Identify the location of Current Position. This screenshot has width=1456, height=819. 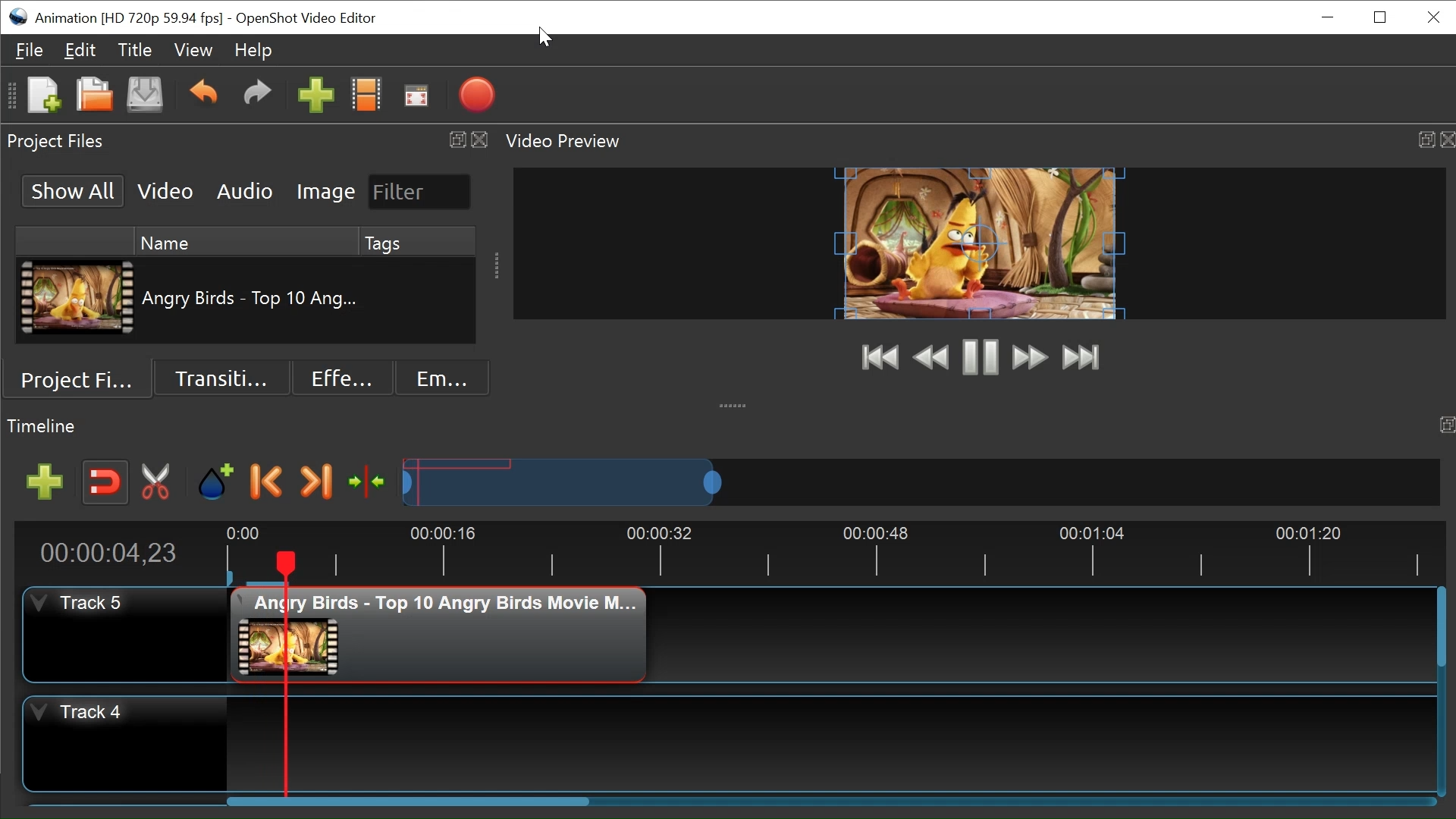
(108, 554).